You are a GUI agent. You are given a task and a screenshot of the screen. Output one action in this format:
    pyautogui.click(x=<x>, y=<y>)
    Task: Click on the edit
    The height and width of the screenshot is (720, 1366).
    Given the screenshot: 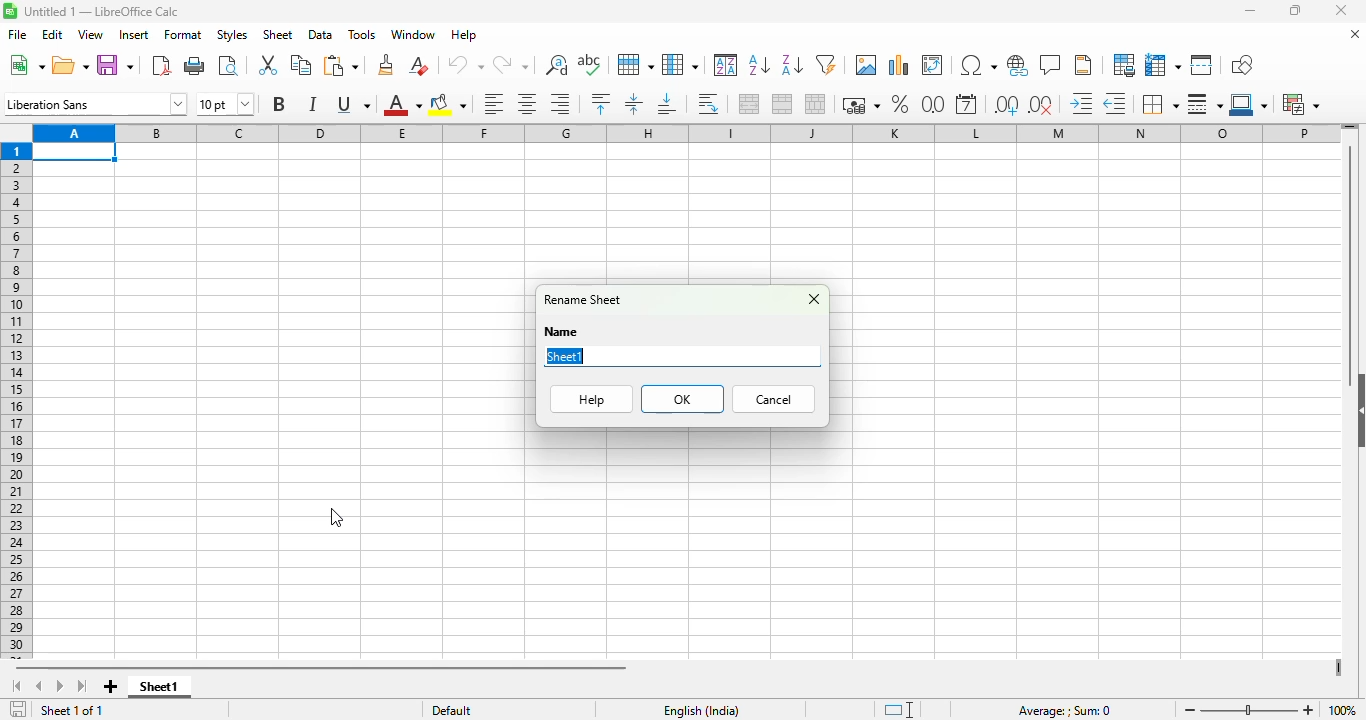 What is the action you would take?
    pyautogui.click(x=53, y=34)
    